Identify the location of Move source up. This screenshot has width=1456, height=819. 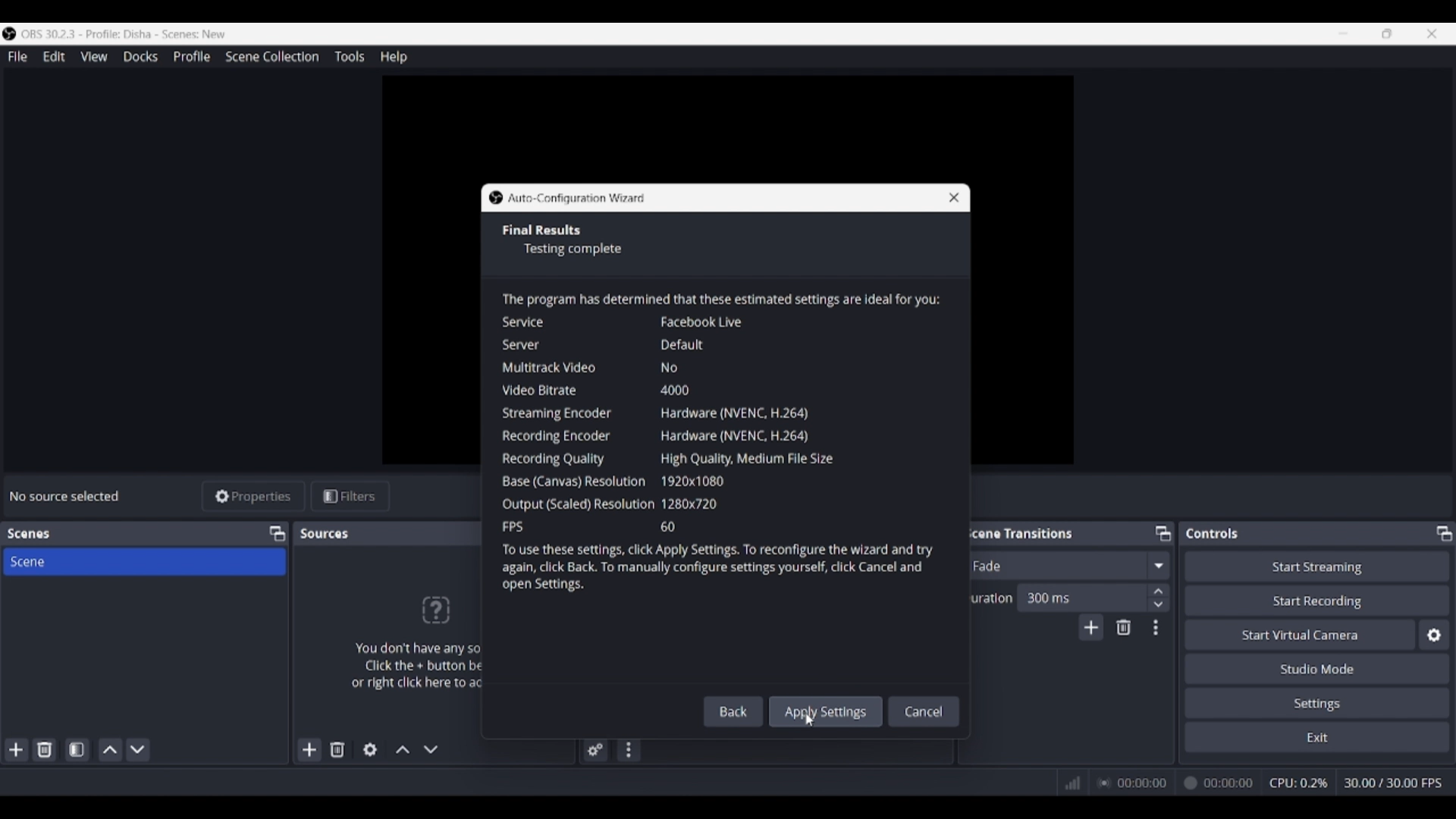
(403, 749).